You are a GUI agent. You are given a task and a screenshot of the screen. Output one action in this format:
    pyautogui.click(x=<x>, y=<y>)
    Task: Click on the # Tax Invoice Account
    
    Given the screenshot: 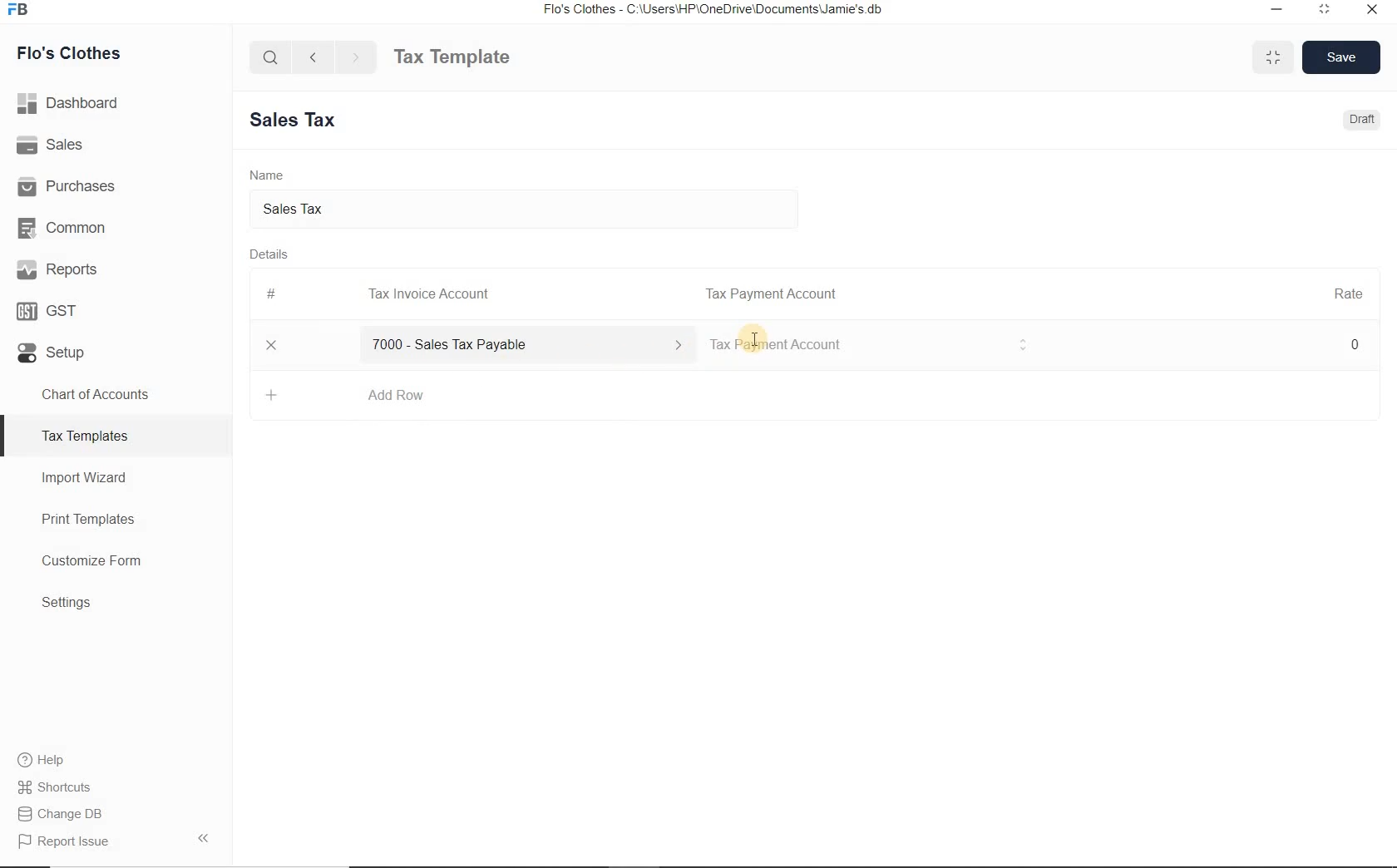 What is the action you would take?
    pyautogui.click(x=380, y=295)
    